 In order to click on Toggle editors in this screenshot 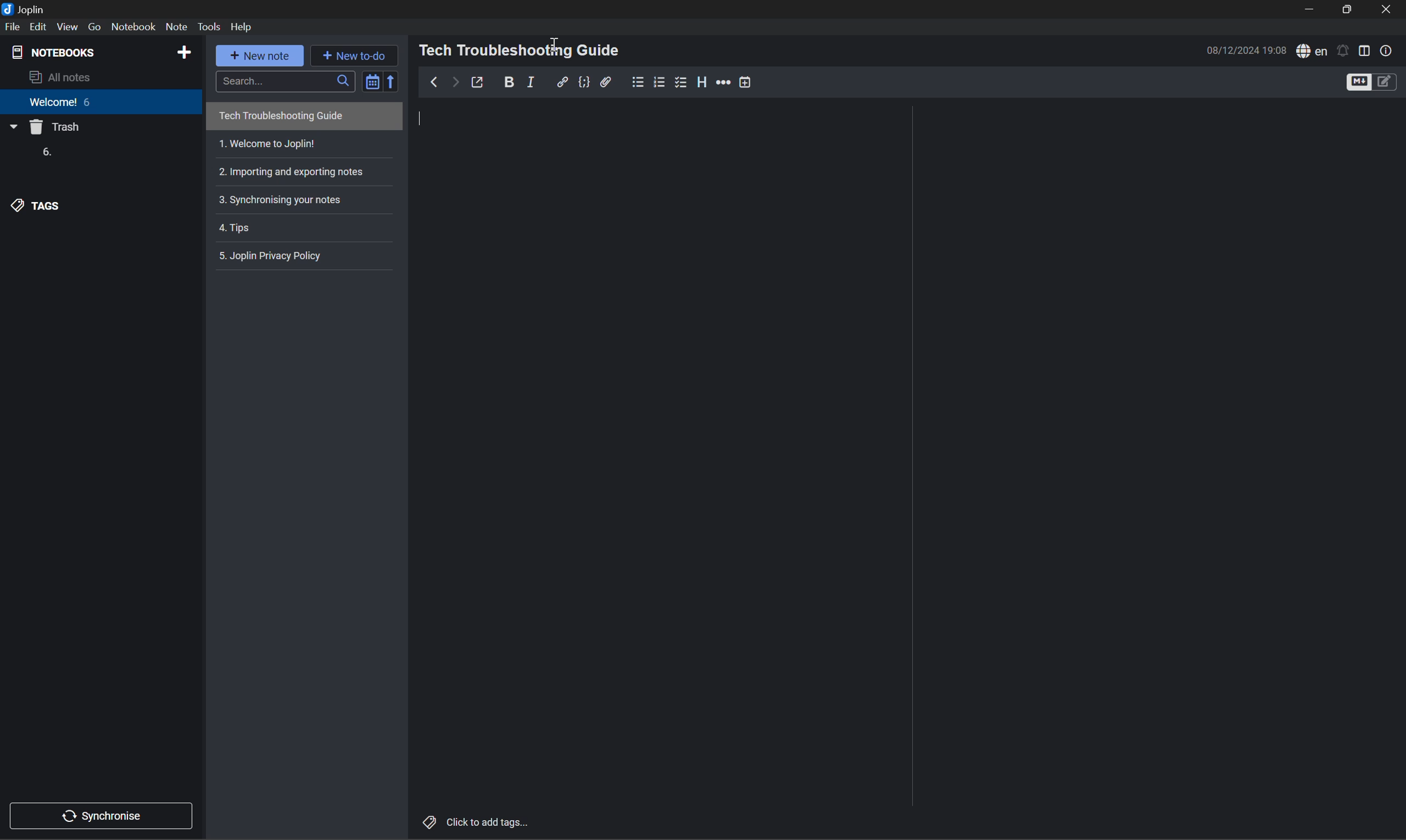, I will do `click(1369, 82)`.